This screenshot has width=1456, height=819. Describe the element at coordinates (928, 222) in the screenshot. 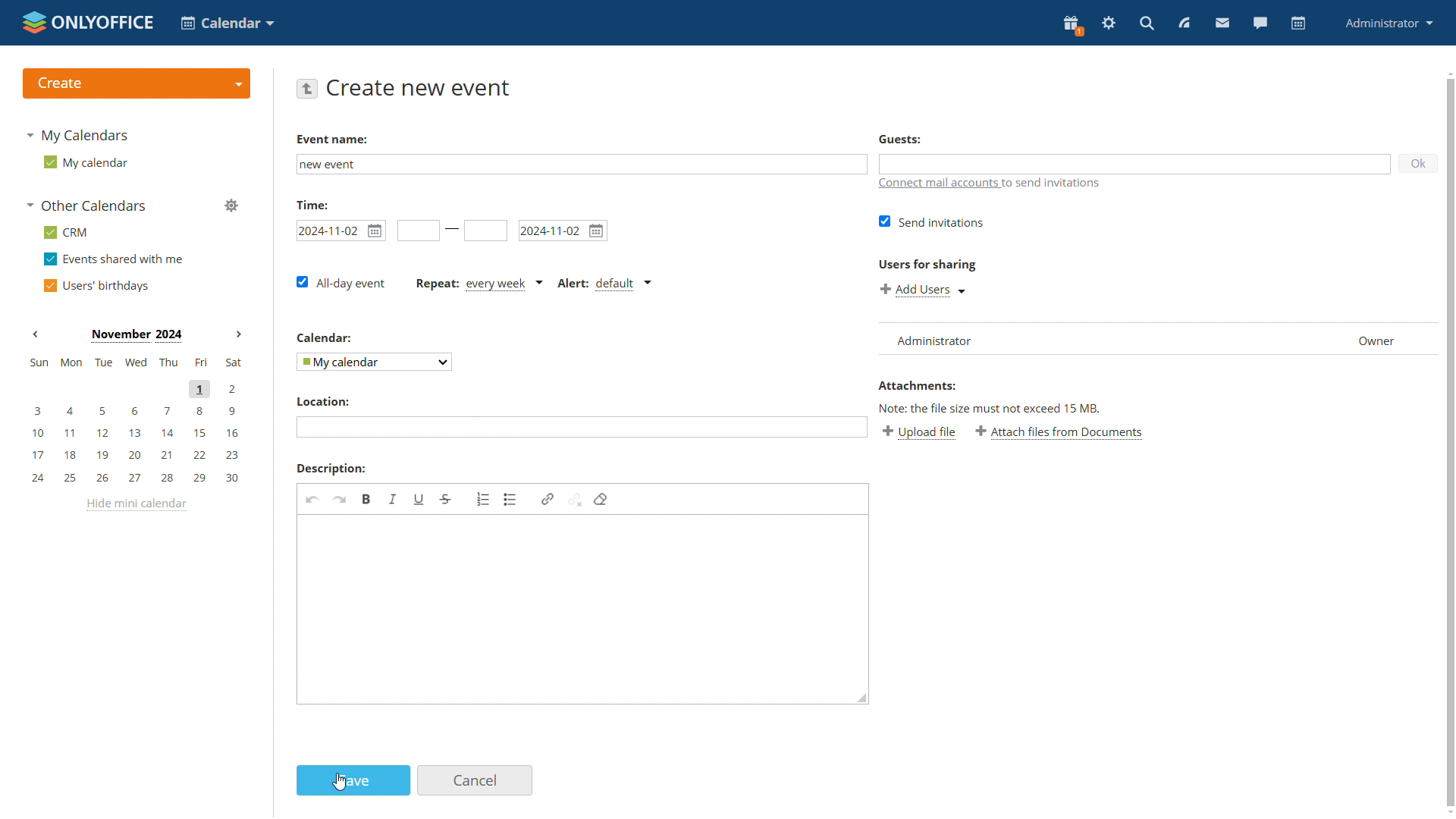

I see `send invitations` at that location.